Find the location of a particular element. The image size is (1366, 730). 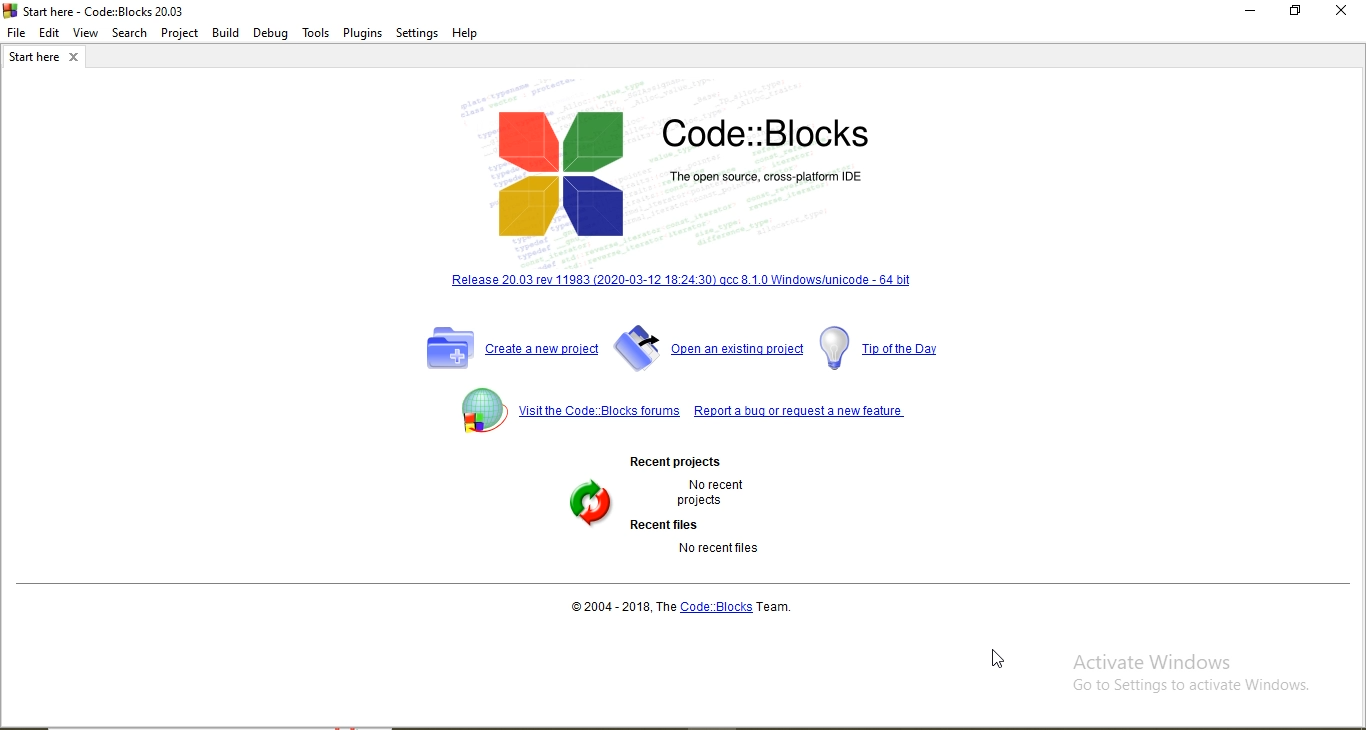

cursor  is located at coordinates (996, 657).